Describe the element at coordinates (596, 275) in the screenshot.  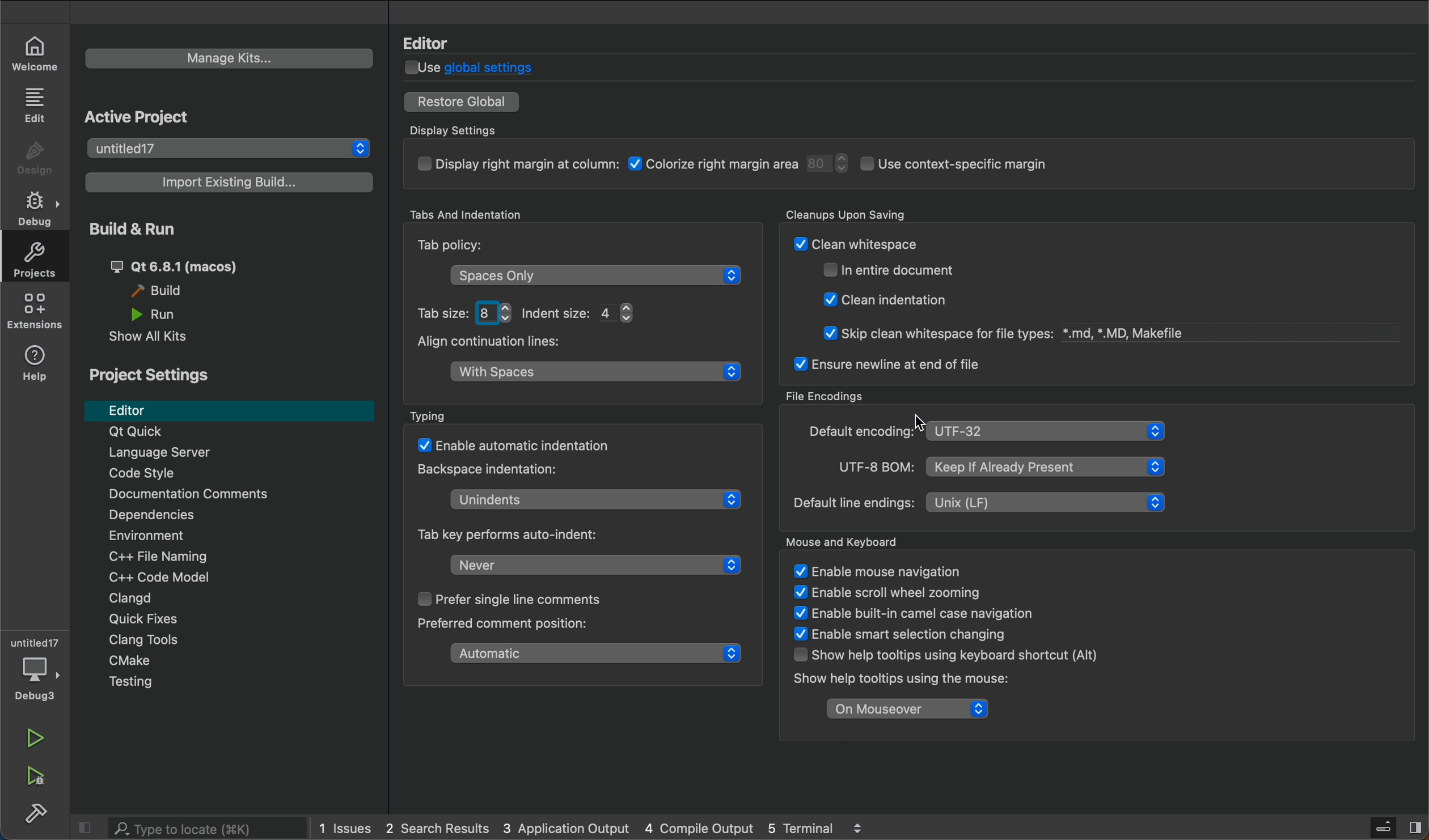
I see `space only` at that location.